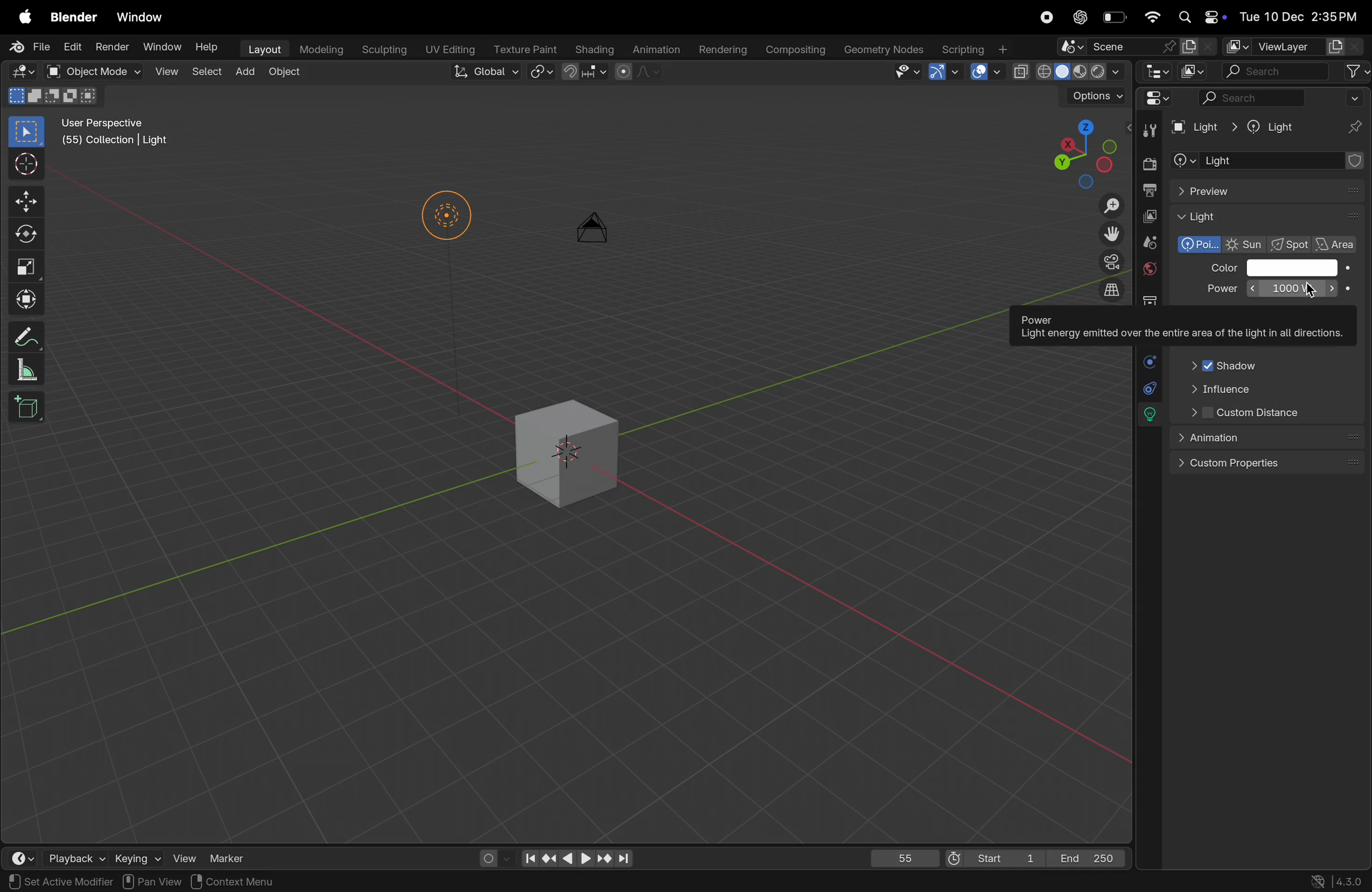  Describe the element at coordinates (1283, 98) in the screenshot. I see `search` at that location.